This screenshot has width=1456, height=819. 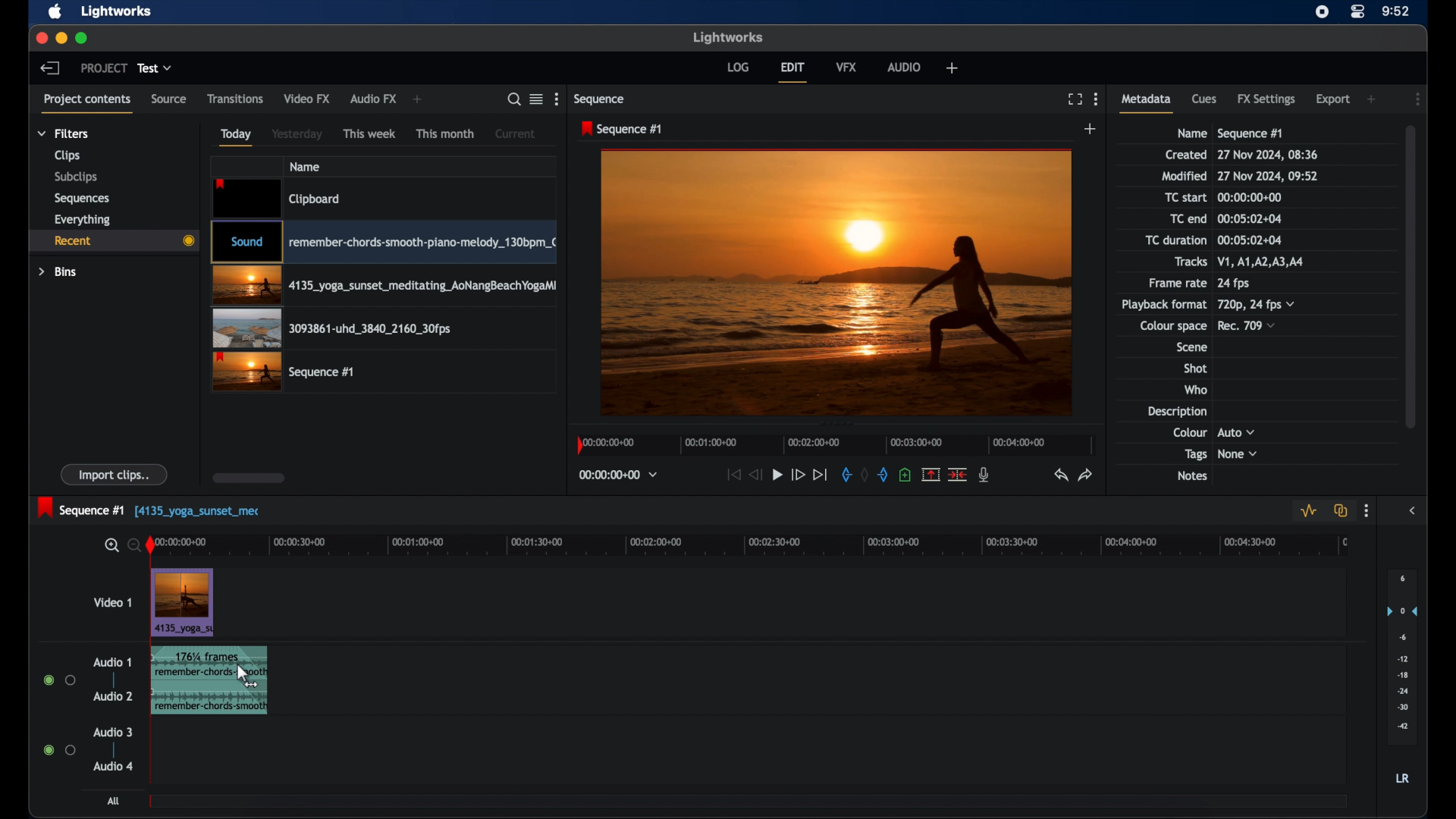 I want to click on timeline , so click(x=759, y=546).